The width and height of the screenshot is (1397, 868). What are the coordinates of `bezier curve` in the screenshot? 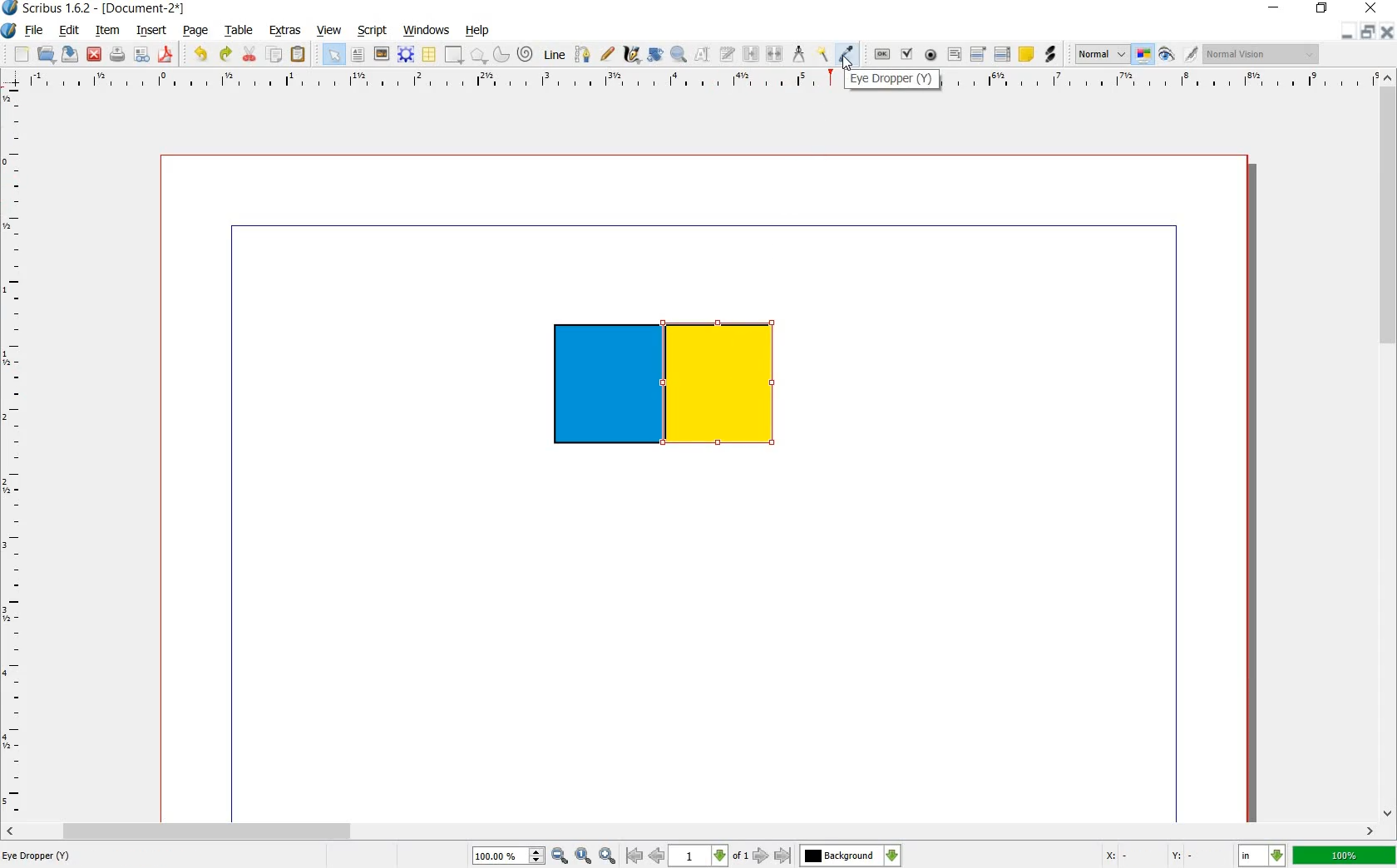 It's located at (584, 57).